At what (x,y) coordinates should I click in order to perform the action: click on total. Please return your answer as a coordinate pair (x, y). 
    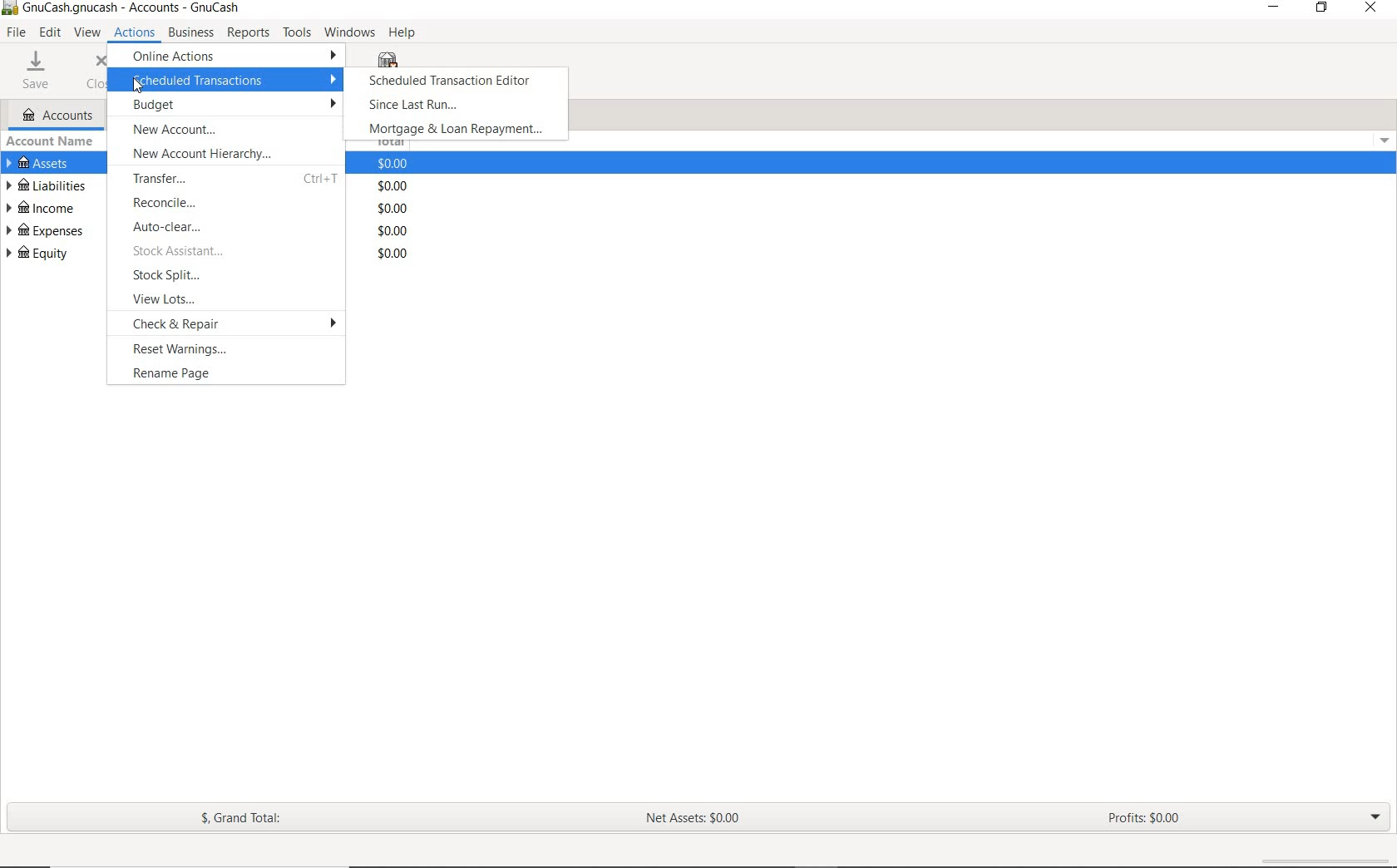
    Looking at the image, I should click on (395, 165).